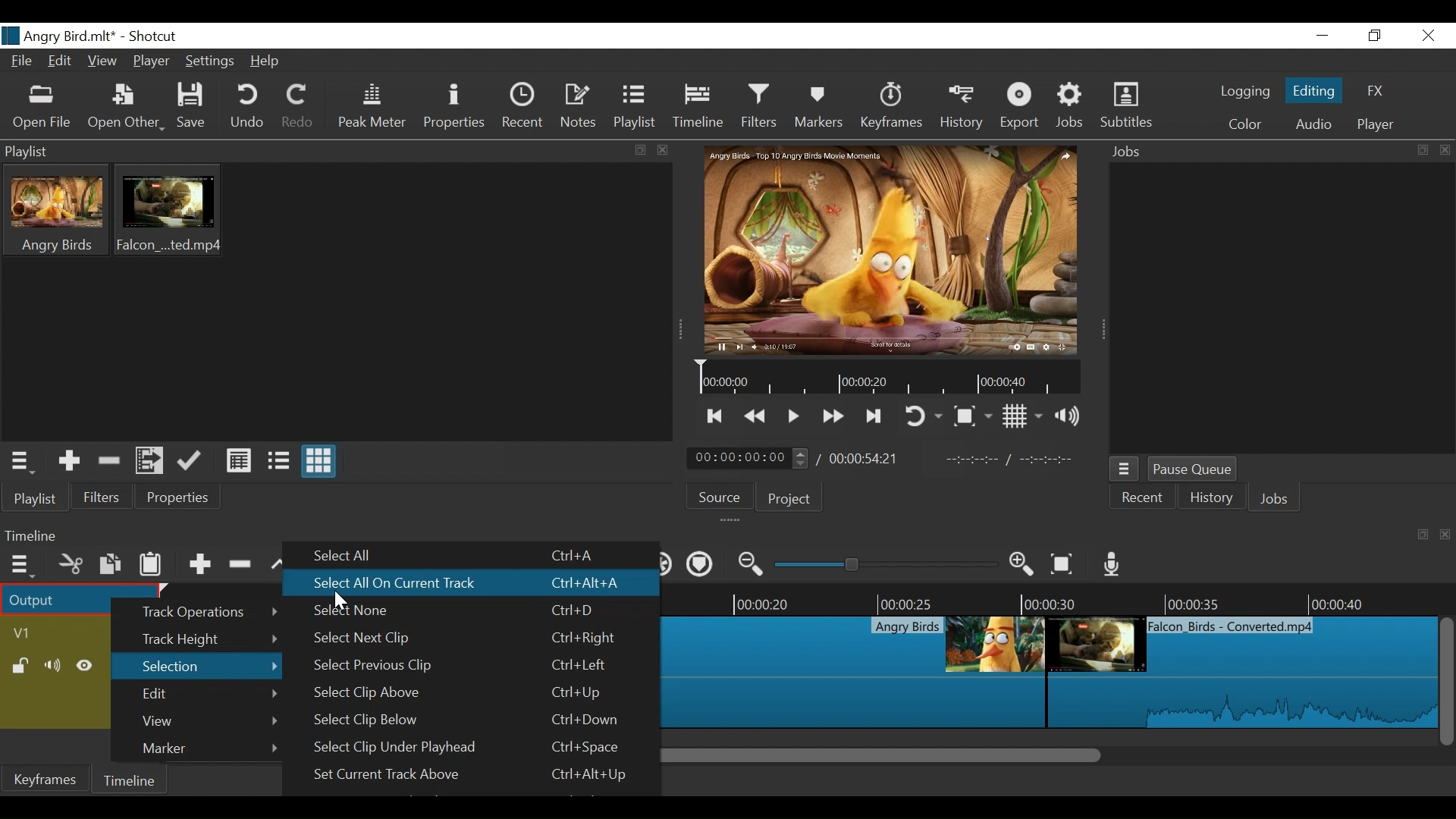 Image resolution: width=1456 pixels, height=819 pixels. What do you see at coordinates (372, 108) in the screenshot?
I see `Peak Meter` at bounding box center [372, 108].